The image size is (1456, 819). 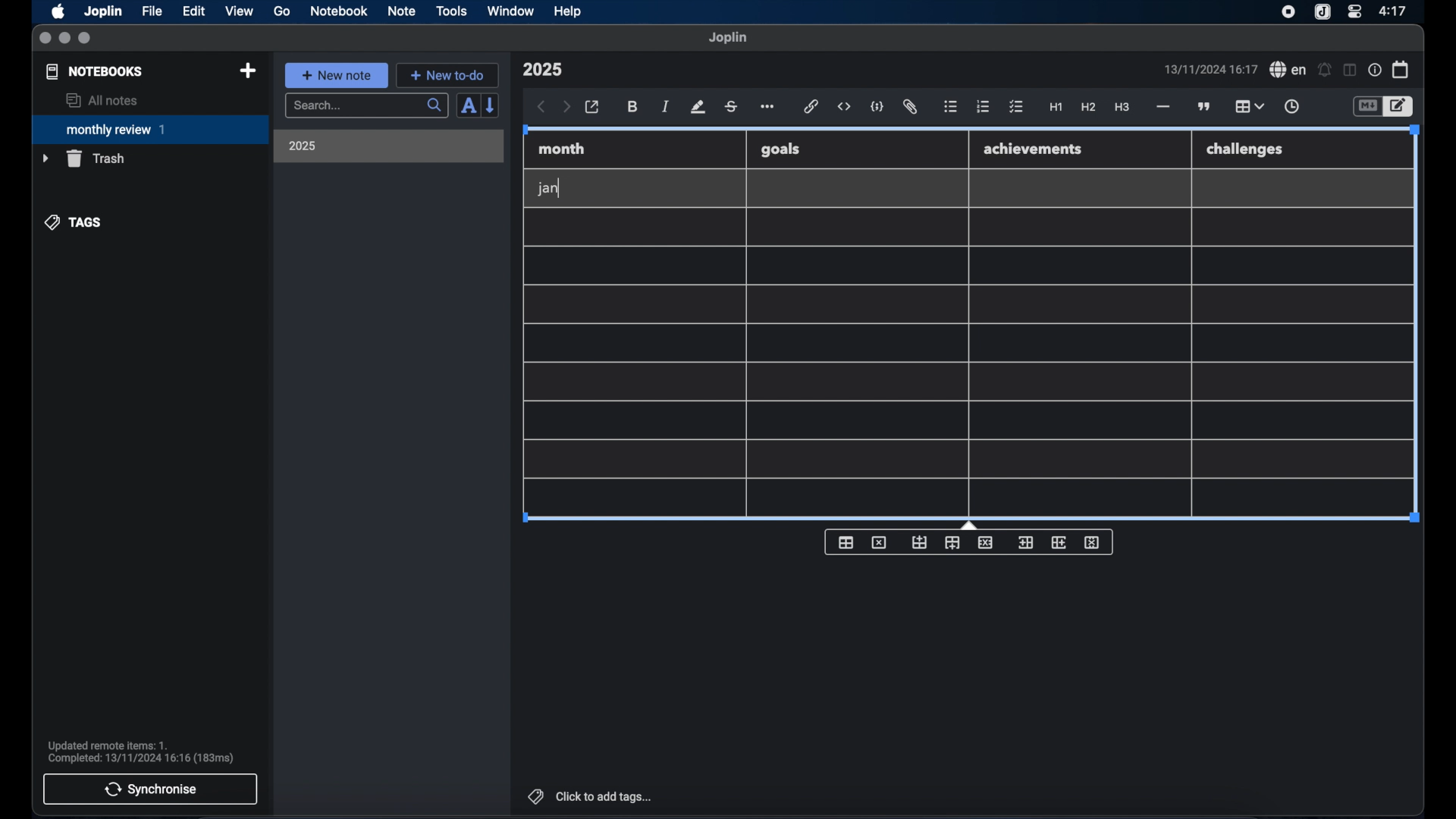 I want to click on joplin, so click(x=728, y=37).